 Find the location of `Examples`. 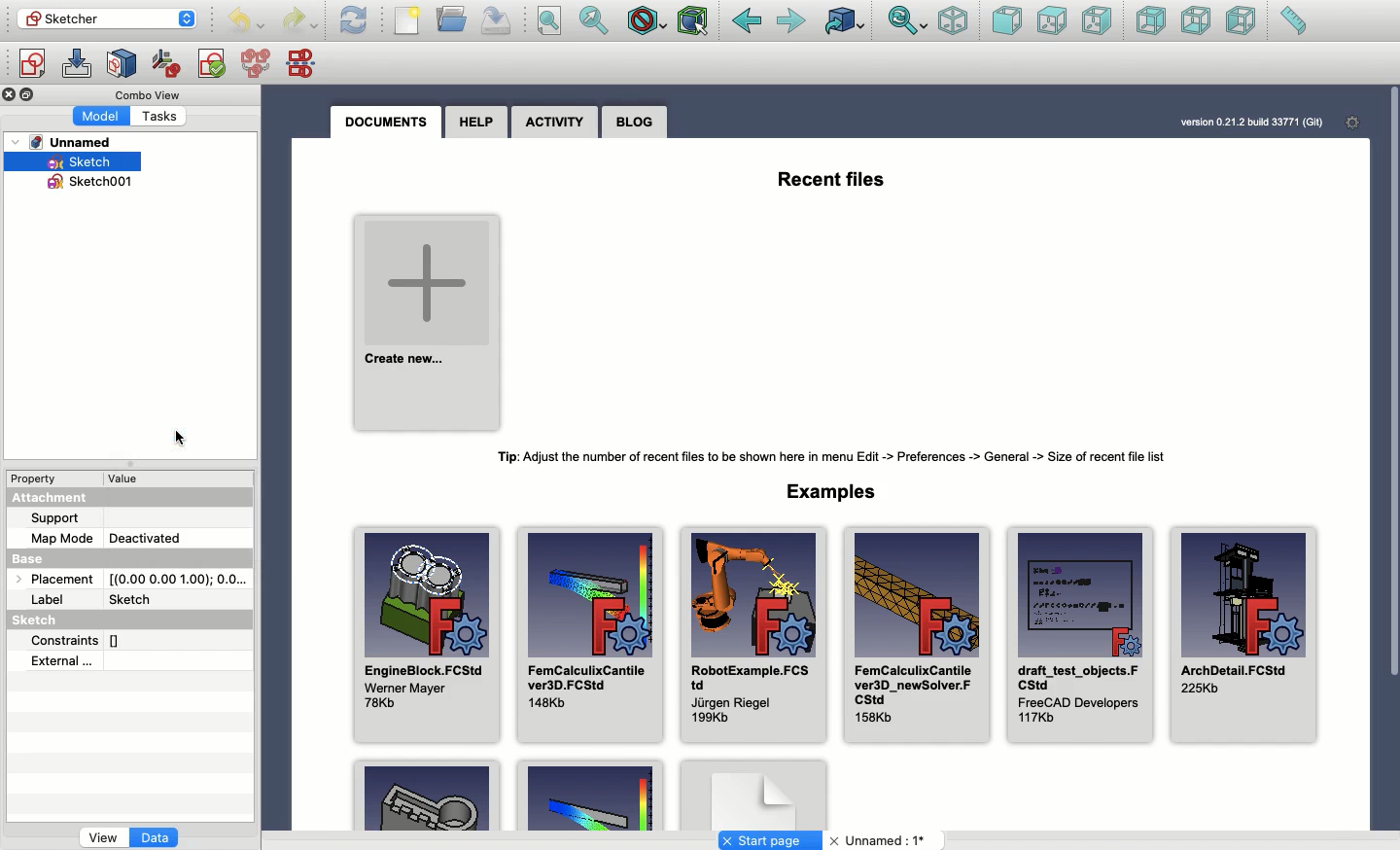

Examples is located at coordinates (589, 797).